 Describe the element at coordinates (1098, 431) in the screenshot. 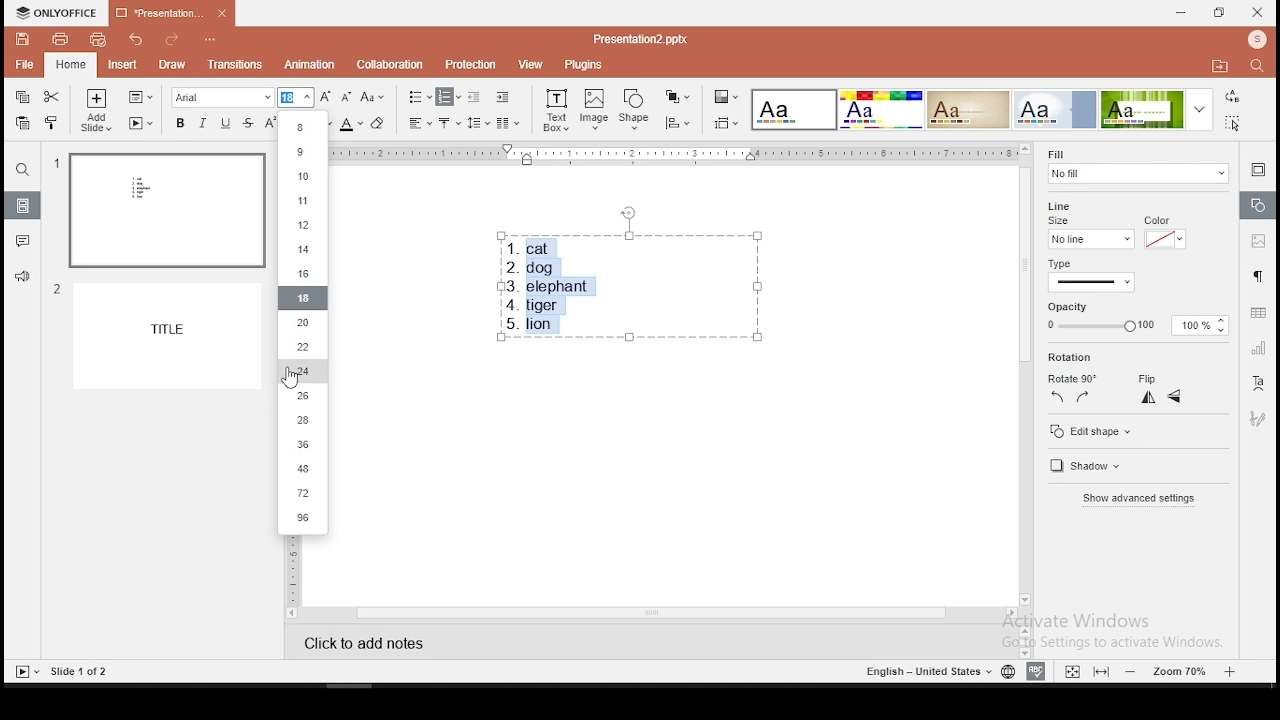

I see `edit shape` at that location.